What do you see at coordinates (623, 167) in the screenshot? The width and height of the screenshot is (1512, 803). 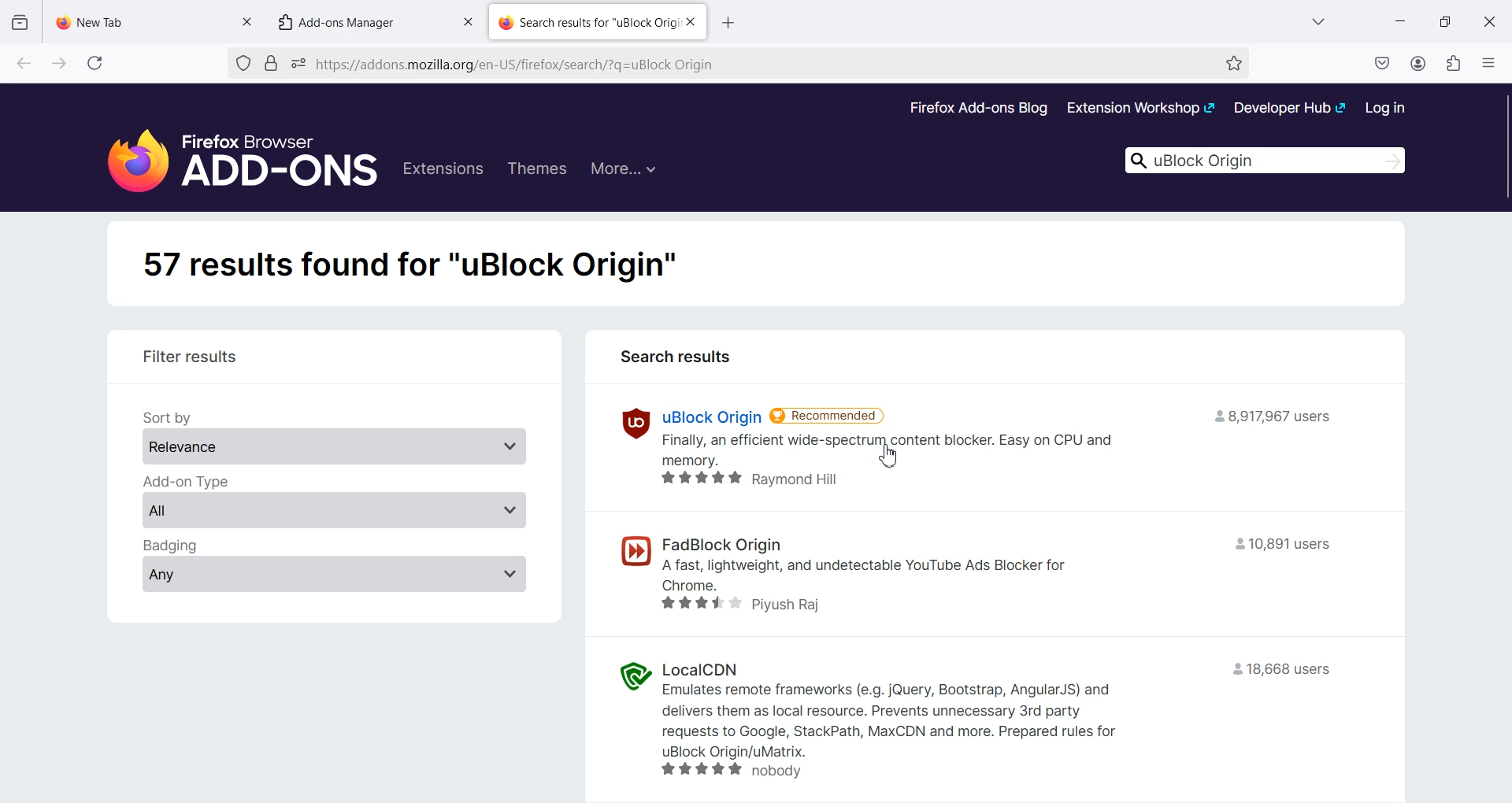 I see `More` at bounding box center [623, 167].